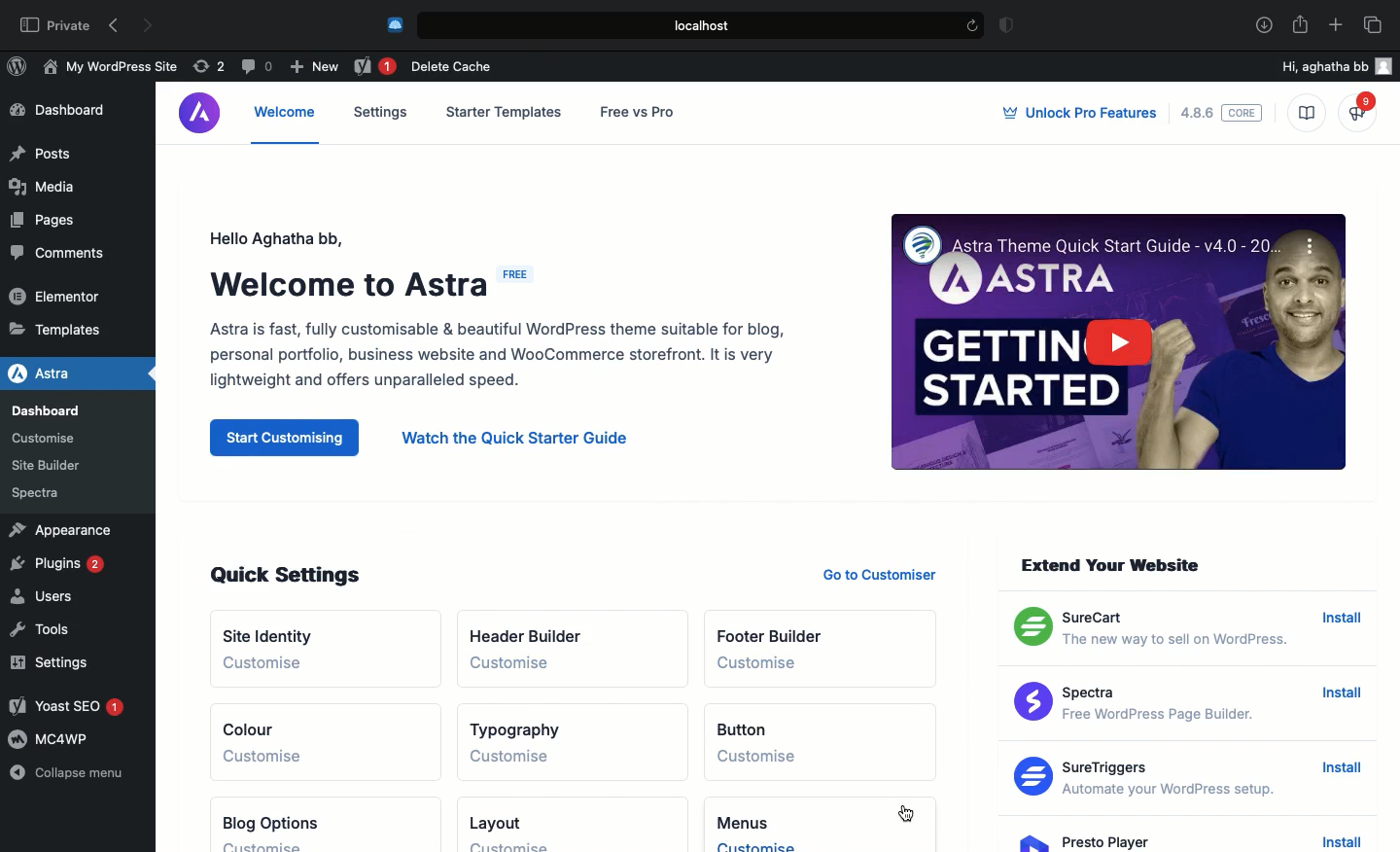  What do you see at coordinates (198, 114) in the screenshot?
I see `Astra` at bounding box center [198, 114].